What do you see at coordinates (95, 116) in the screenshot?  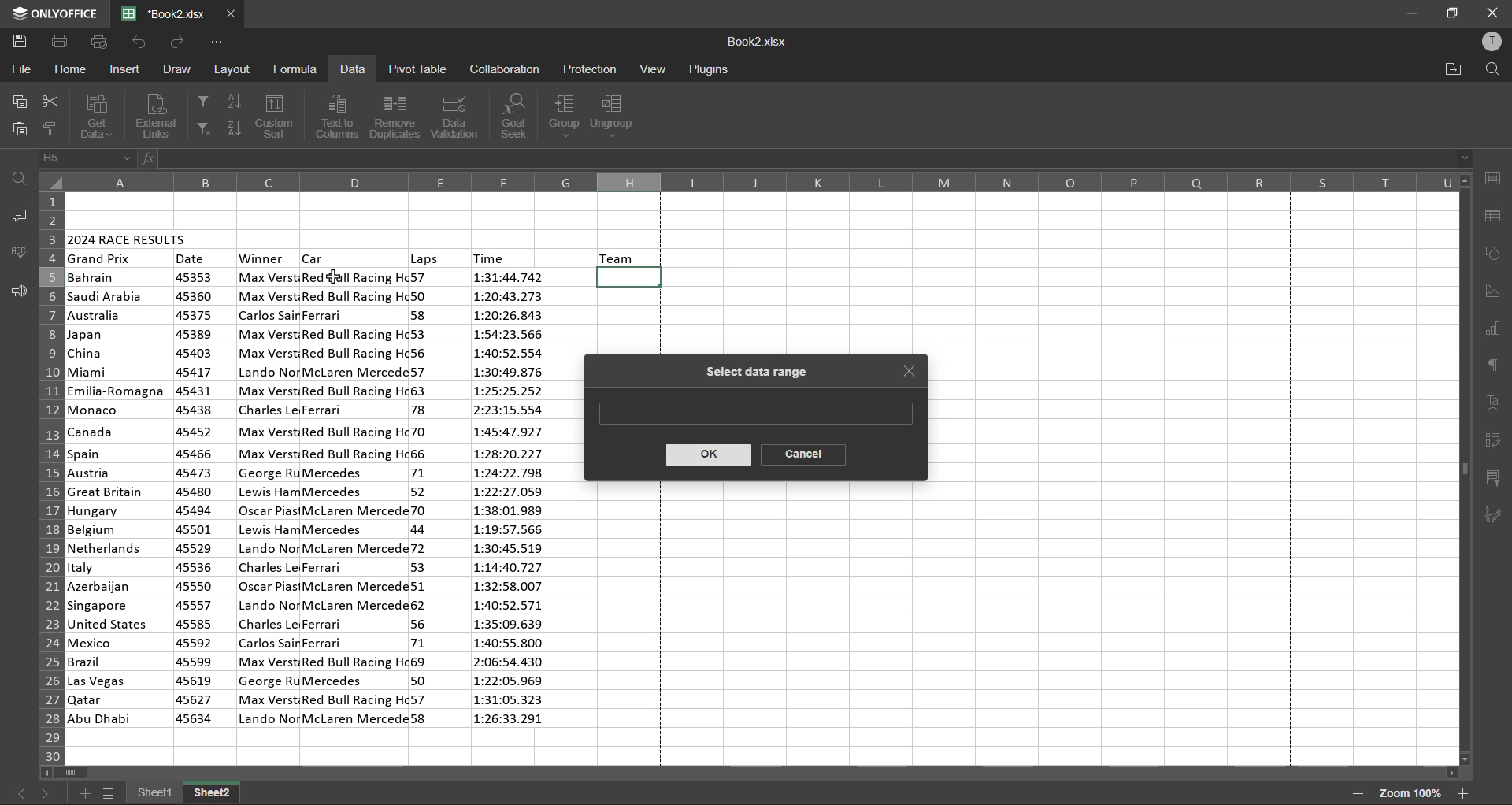 I see `get data` at bounding box center [95, 116].